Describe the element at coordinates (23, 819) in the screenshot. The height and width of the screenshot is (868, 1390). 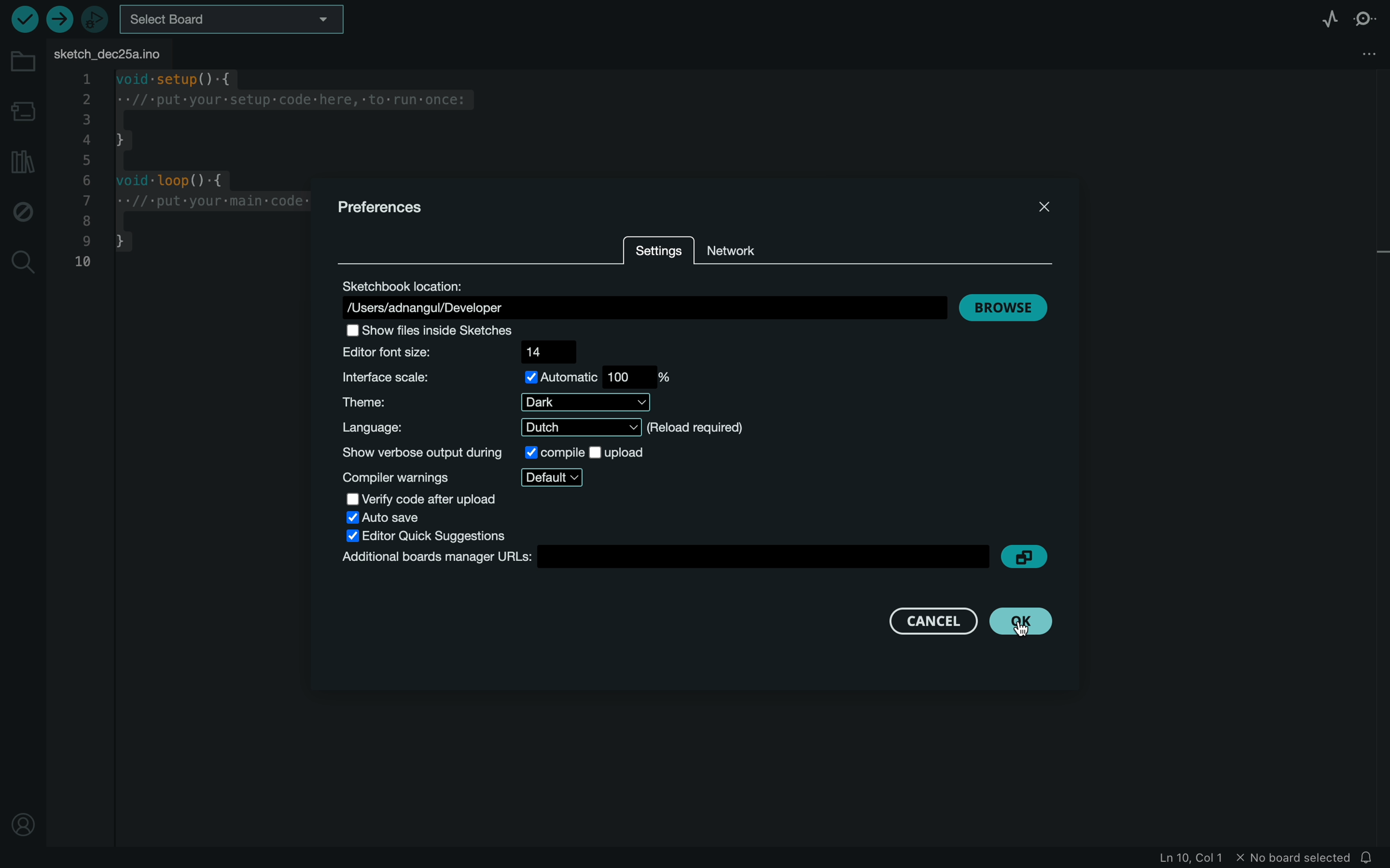
I see `profile` at that location.